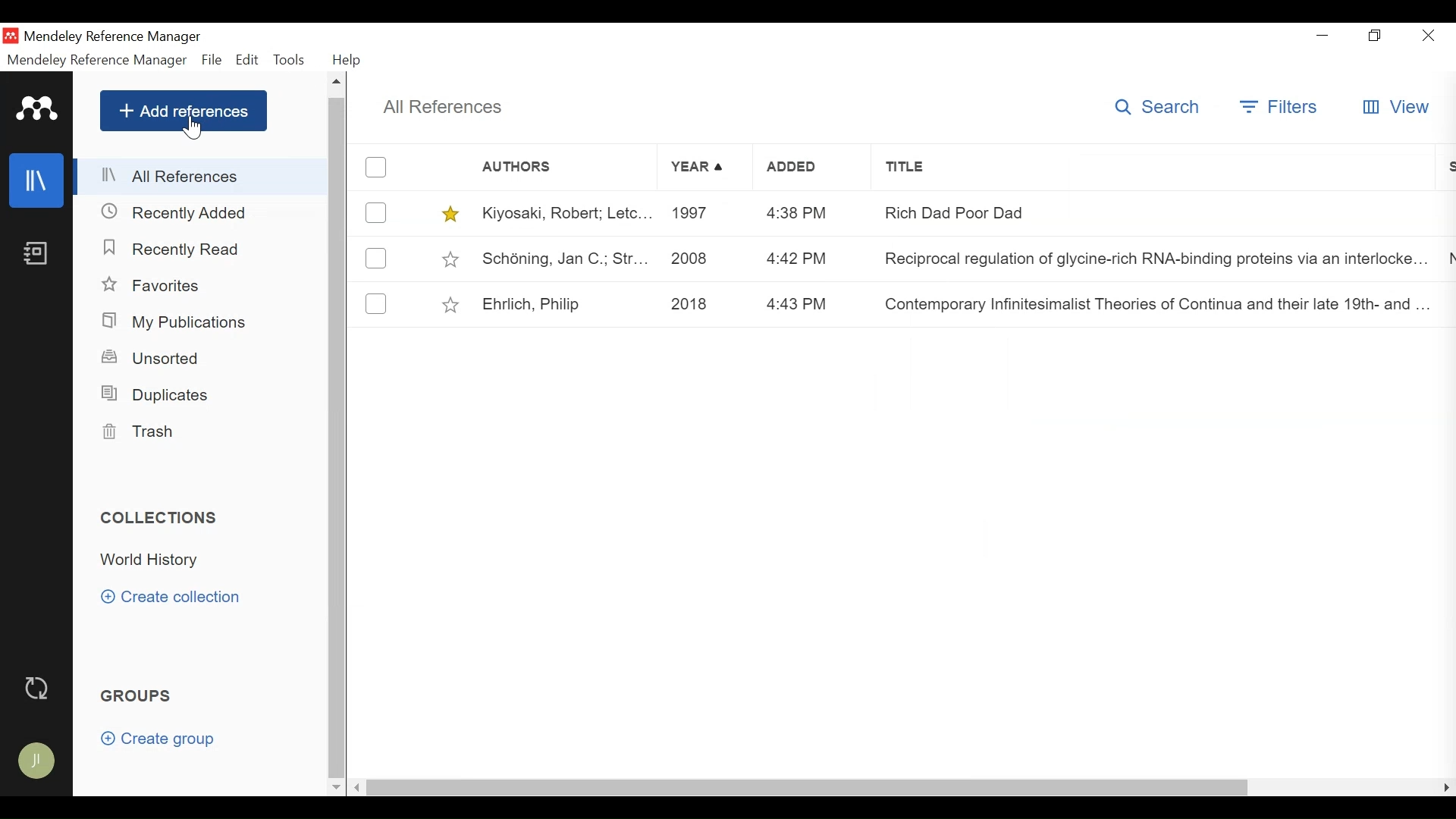 This screenshot has height=819, width=1456. Describe the element at coordinates (38, 254) in the screenshot. I see `Notebook` at that location.